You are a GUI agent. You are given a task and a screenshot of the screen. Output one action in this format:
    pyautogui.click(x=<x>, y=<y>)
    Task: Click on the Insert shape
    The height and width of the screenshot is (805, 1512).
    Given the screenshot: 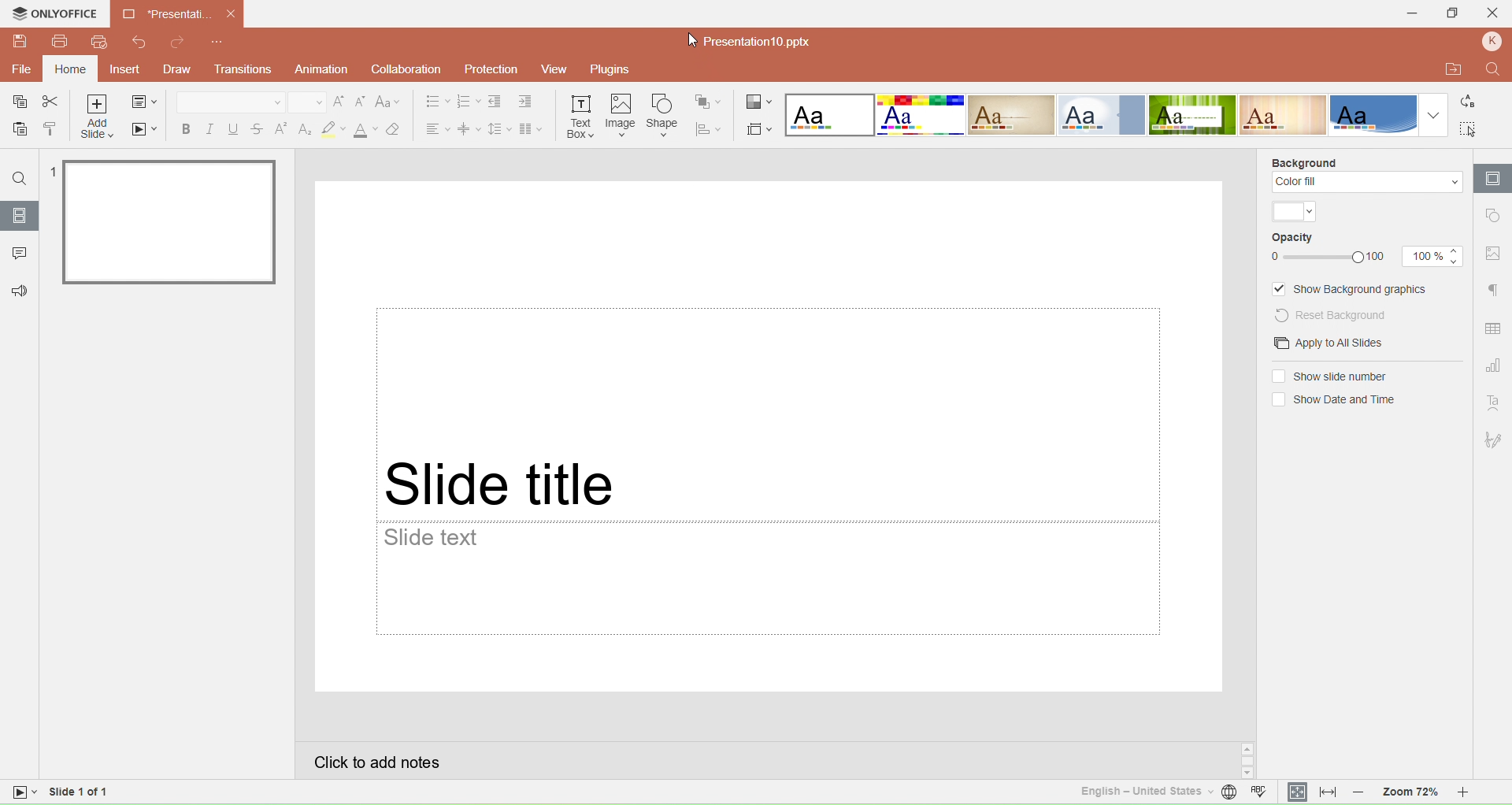 What is the action you would take?
    pyautogui.click(x=662, y=115)
    